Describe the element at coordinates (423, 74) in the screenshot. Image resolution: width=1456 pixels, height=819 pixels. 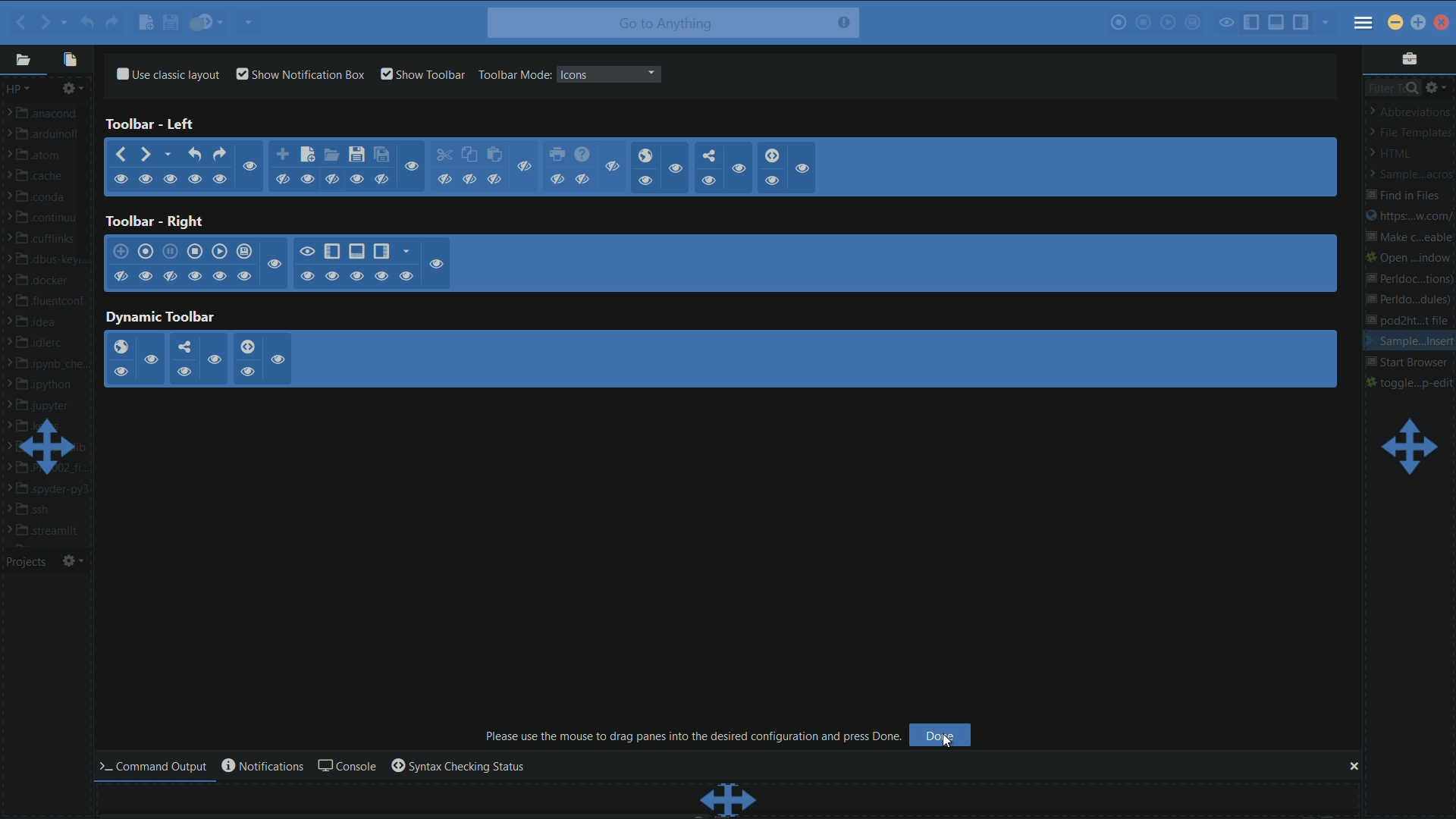
I see `show toolbar` at that location.